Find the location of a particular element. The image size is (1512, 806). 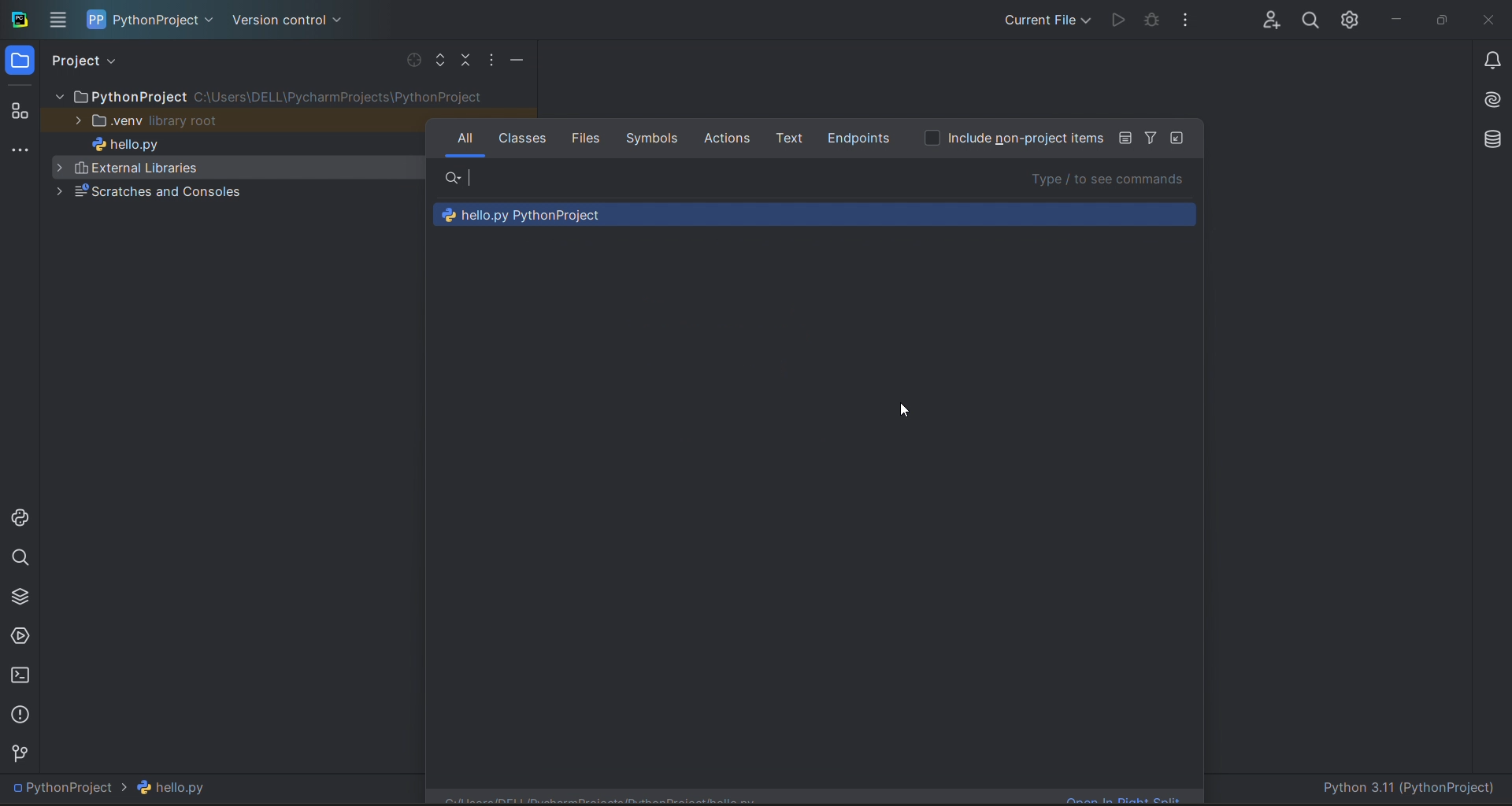

option is located at coordinates (1012, 139).